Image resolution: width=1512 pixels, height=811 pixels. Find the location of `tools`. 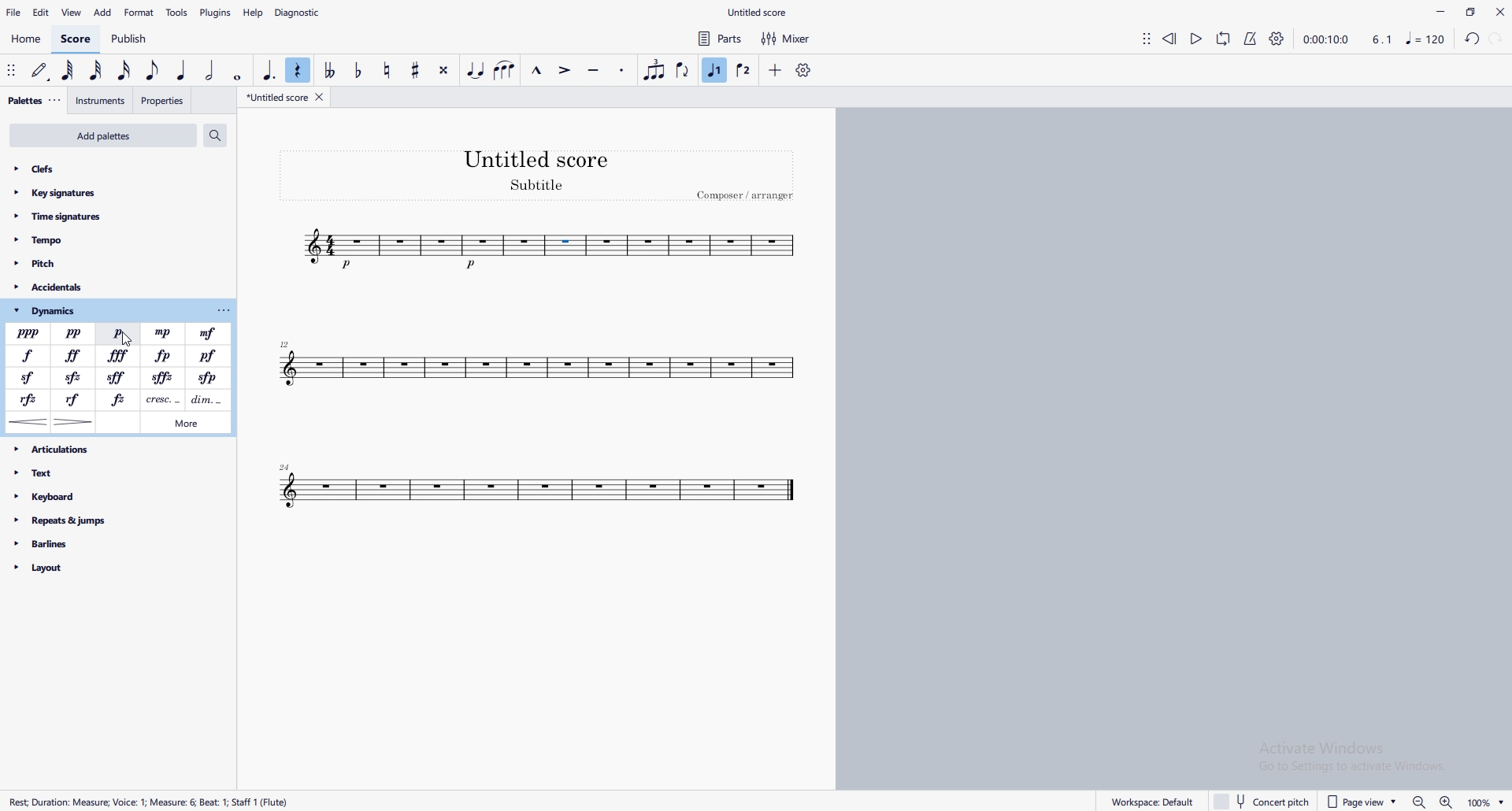

tools is located at coordinates (176, 13).